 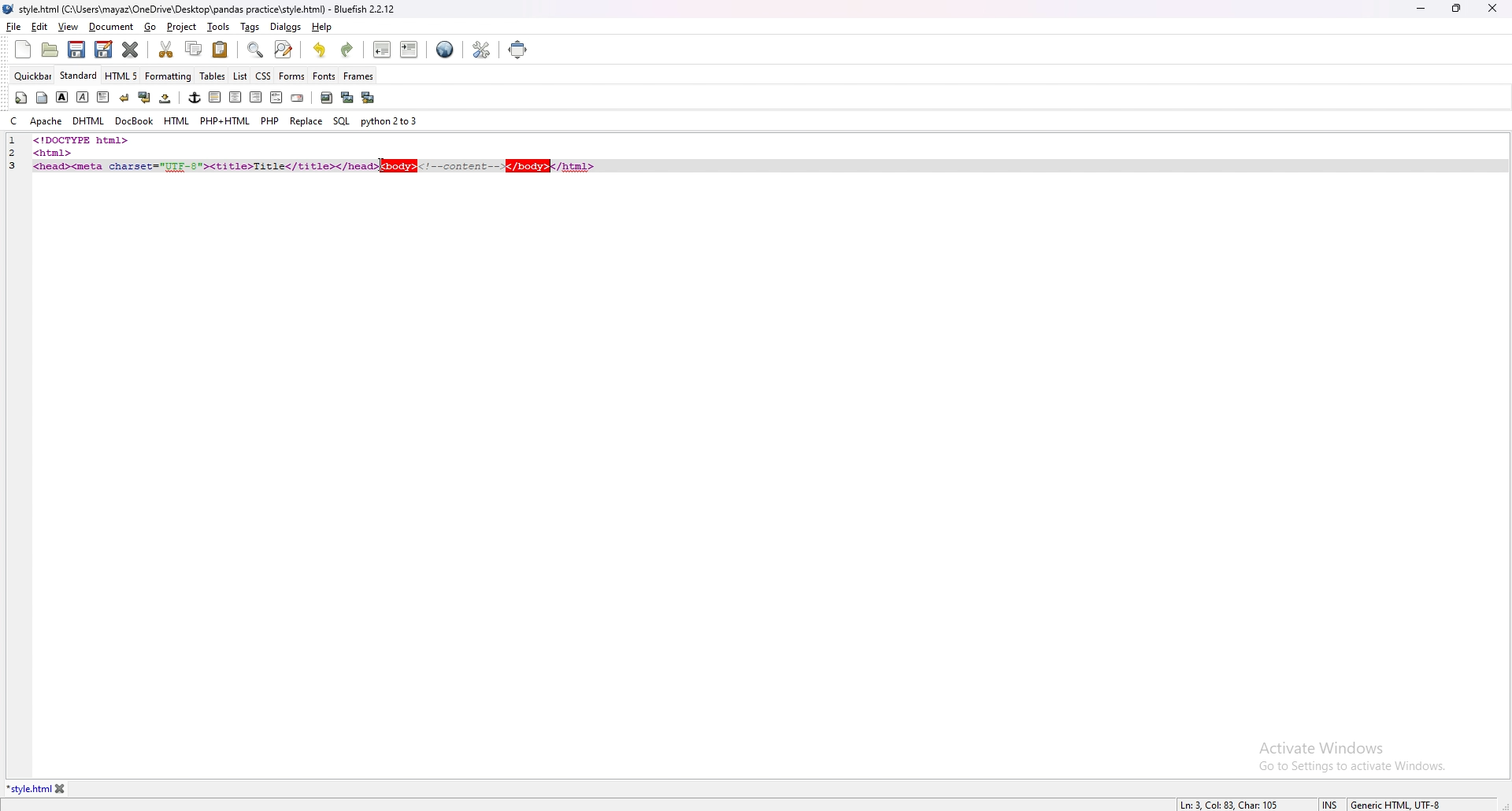 I want to click on view, so click(x=68, y=27).